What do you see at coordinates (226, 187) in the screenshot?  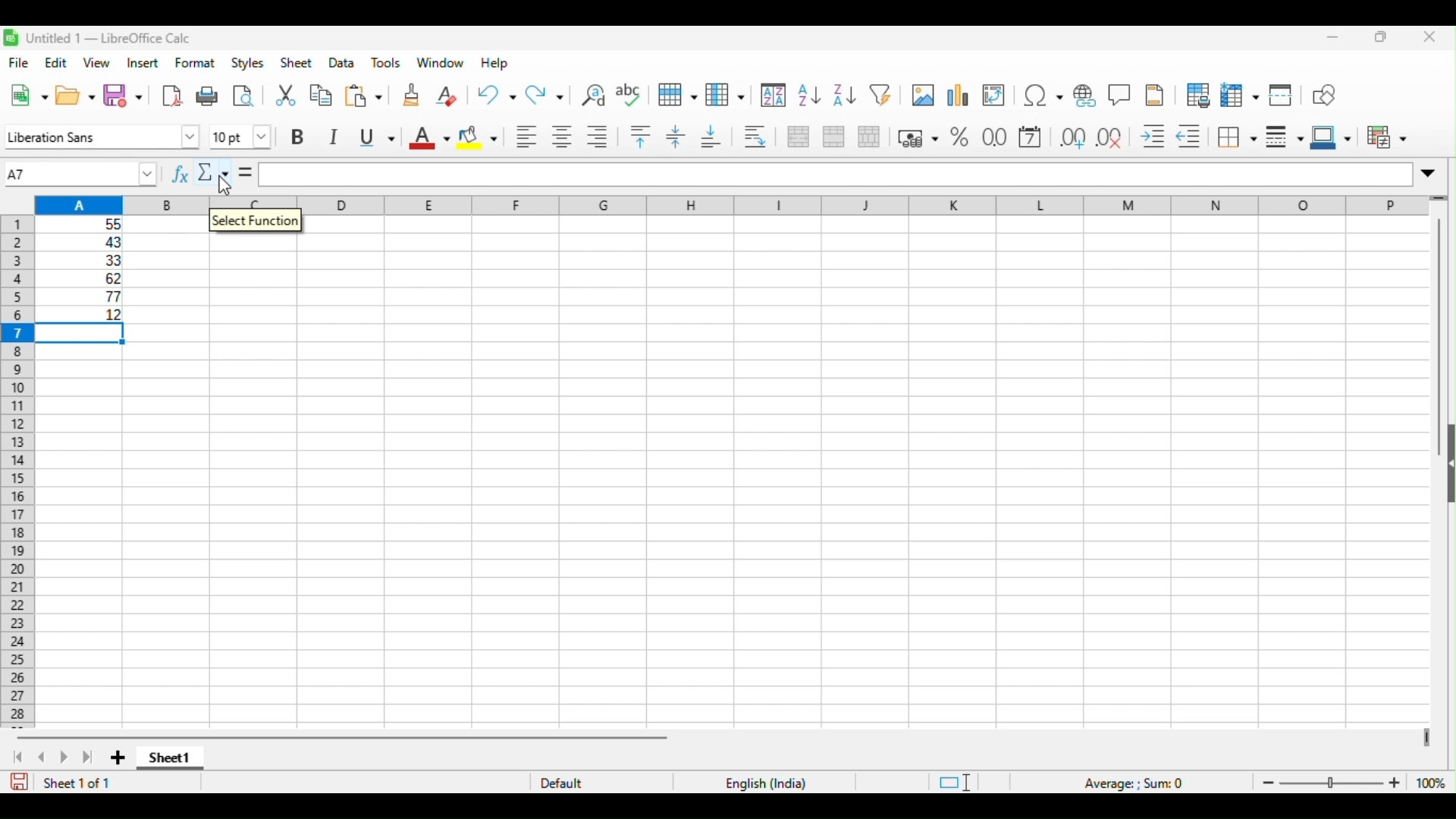 I see `cursor` at bounding box center [226, 187].